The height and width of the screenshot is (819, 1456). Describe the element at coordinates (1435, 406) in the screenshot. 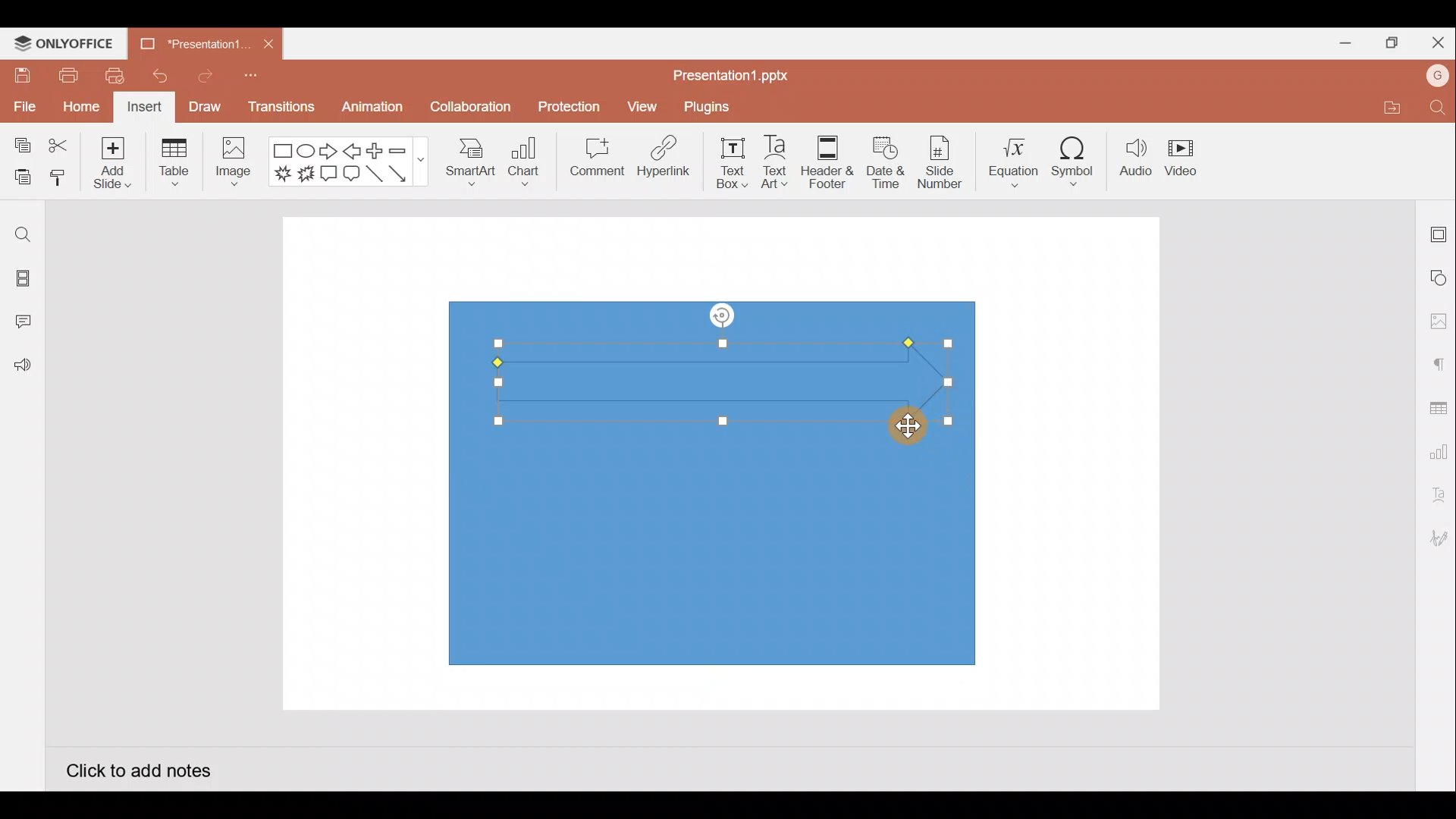

I see `Table settings` at that location.